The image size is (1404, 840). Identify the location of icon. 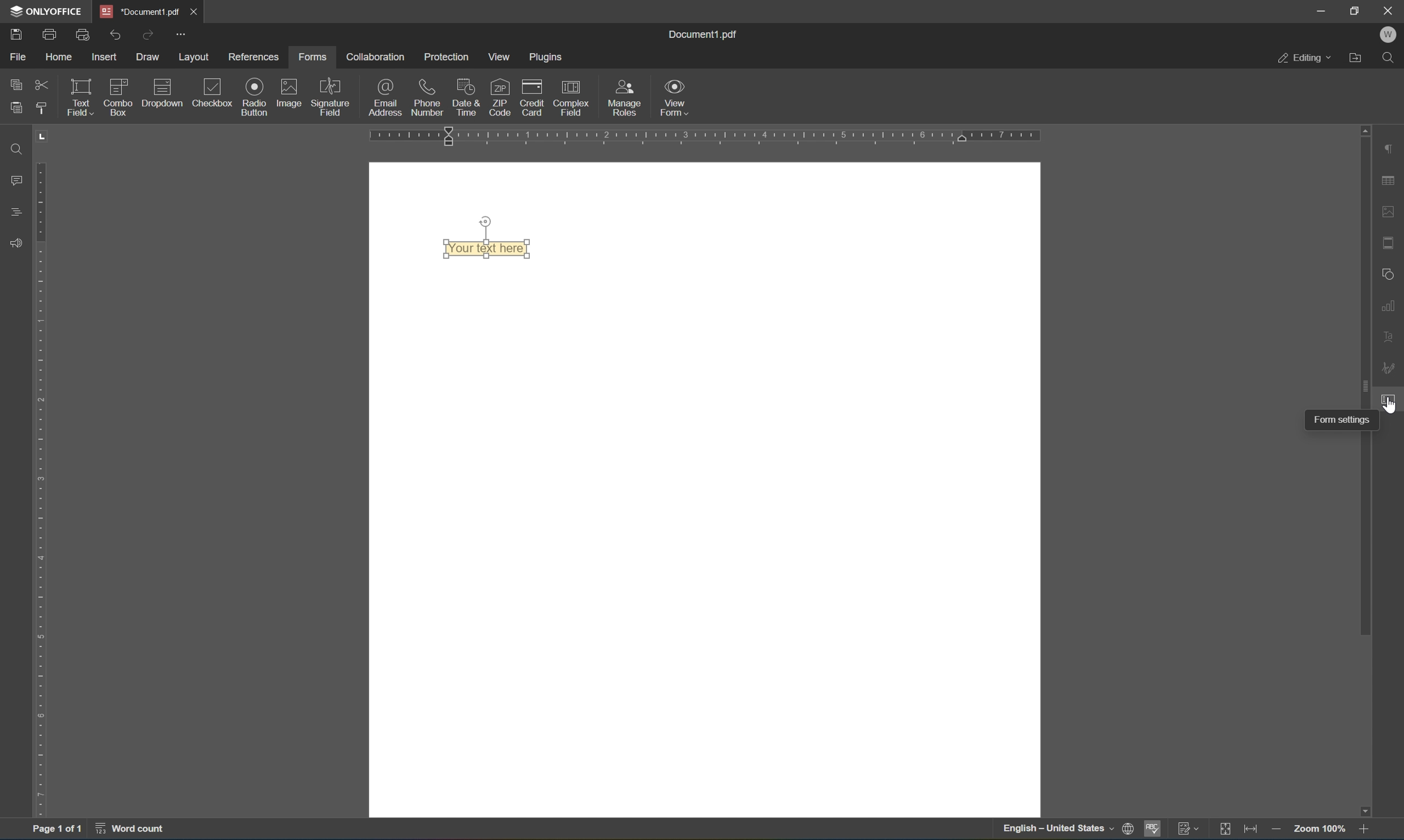
(167, 87).